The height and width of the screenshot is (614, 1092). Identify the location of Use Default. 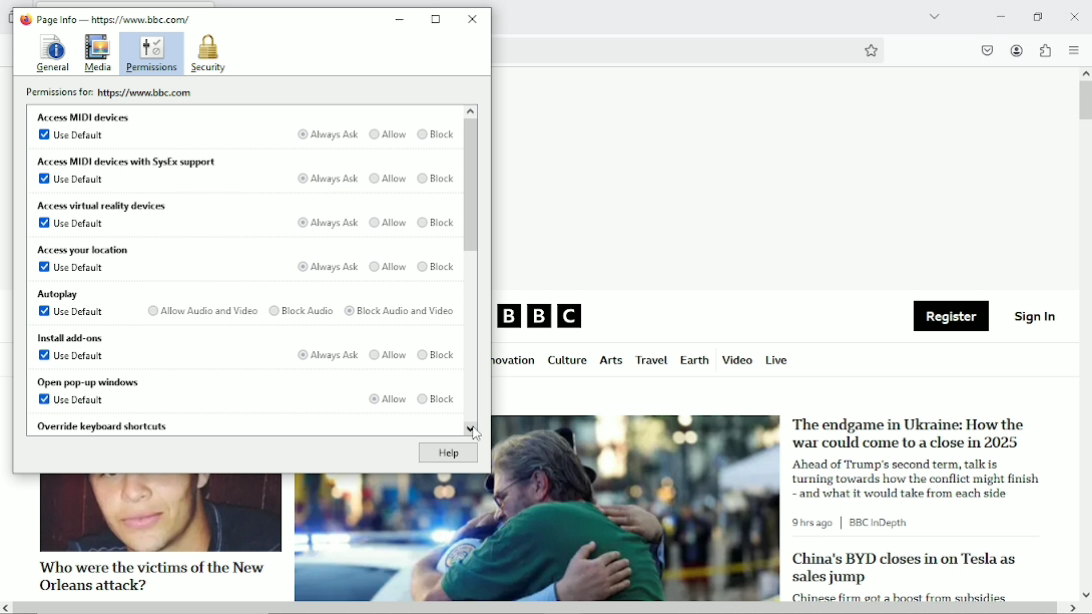
(70, 133).